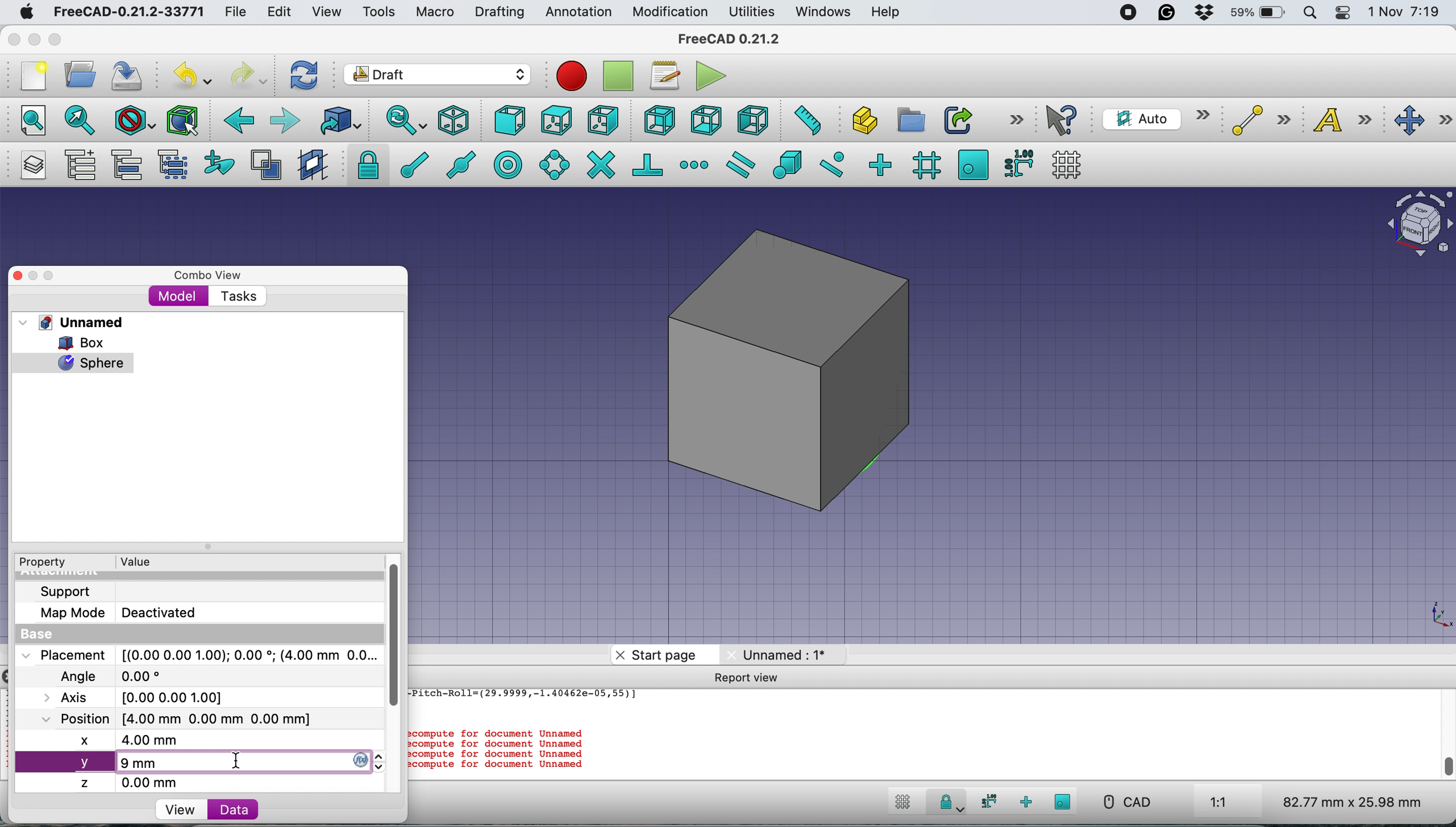 Image resolution: width=1456 pixels, height=827 pixels. Describe the element at coordinates (198, 654) in the screenshot. I see `placement` at that location.